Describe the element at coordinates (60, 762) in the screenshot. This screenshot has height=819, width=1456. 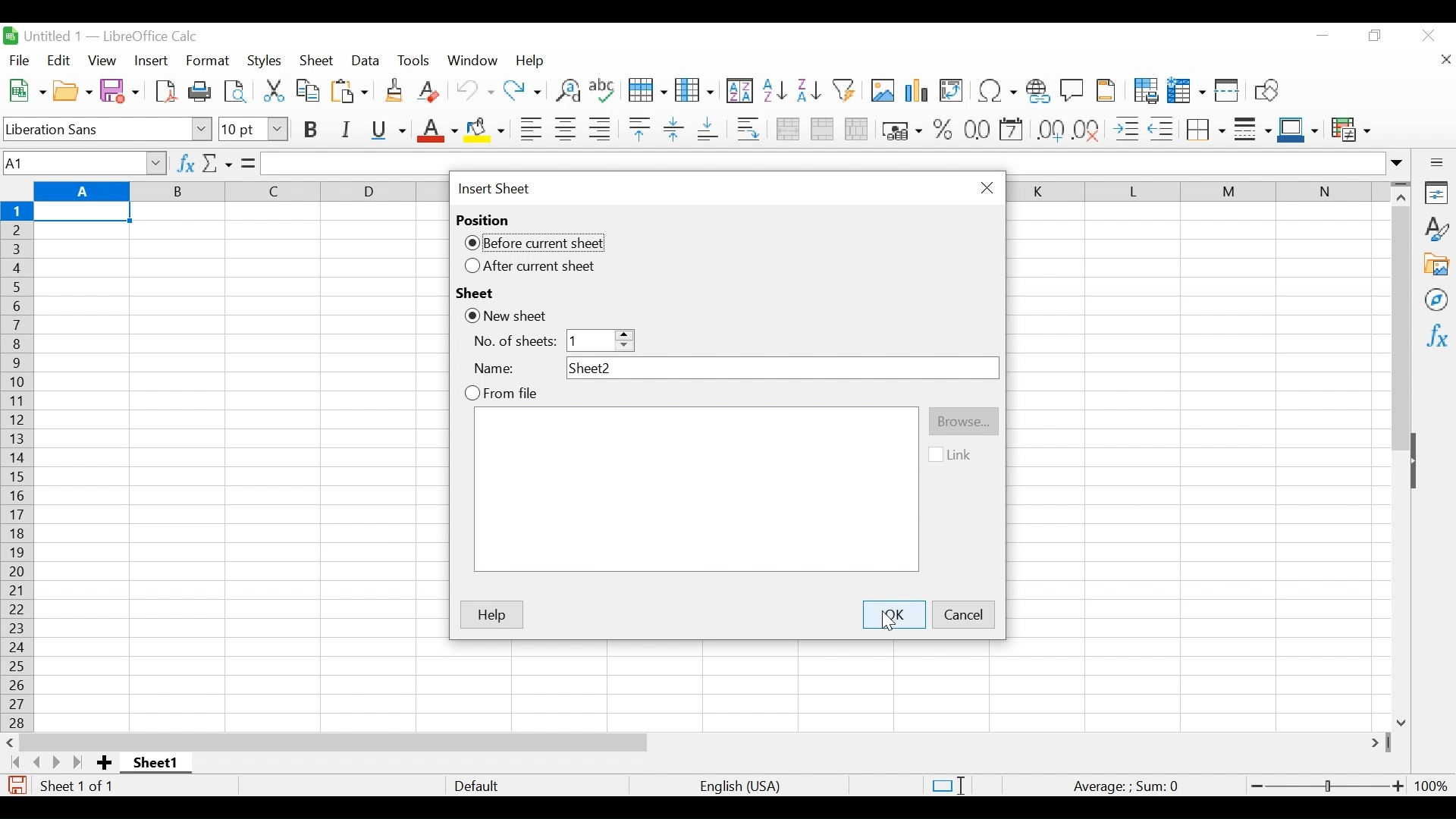
I see `Scroll to the next page` at that location.